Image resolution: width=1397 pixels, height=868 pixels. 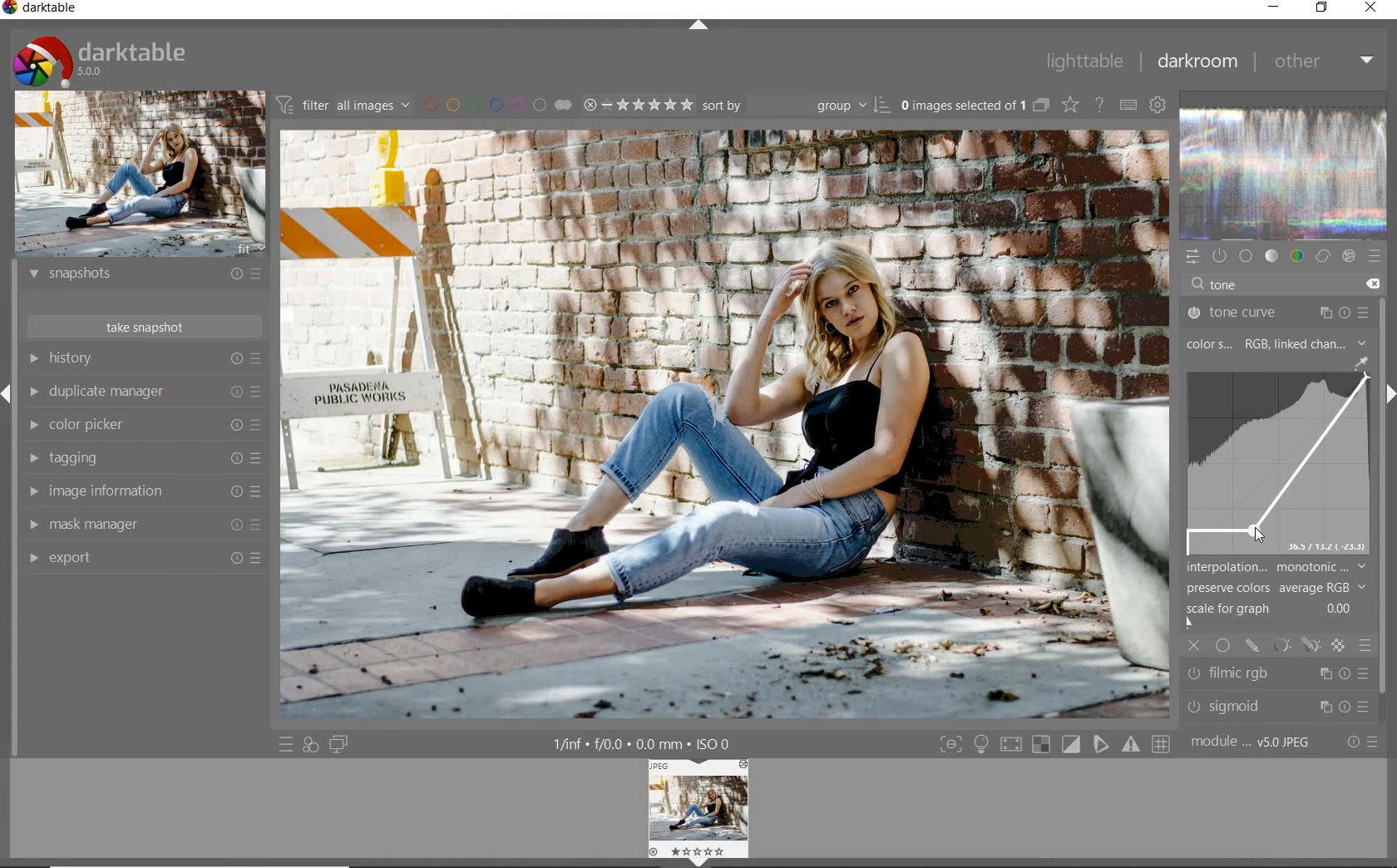 What do you see at coordinates (1296, 257) in the screenshot?
I see `color` at bounding box center [1296, 257].